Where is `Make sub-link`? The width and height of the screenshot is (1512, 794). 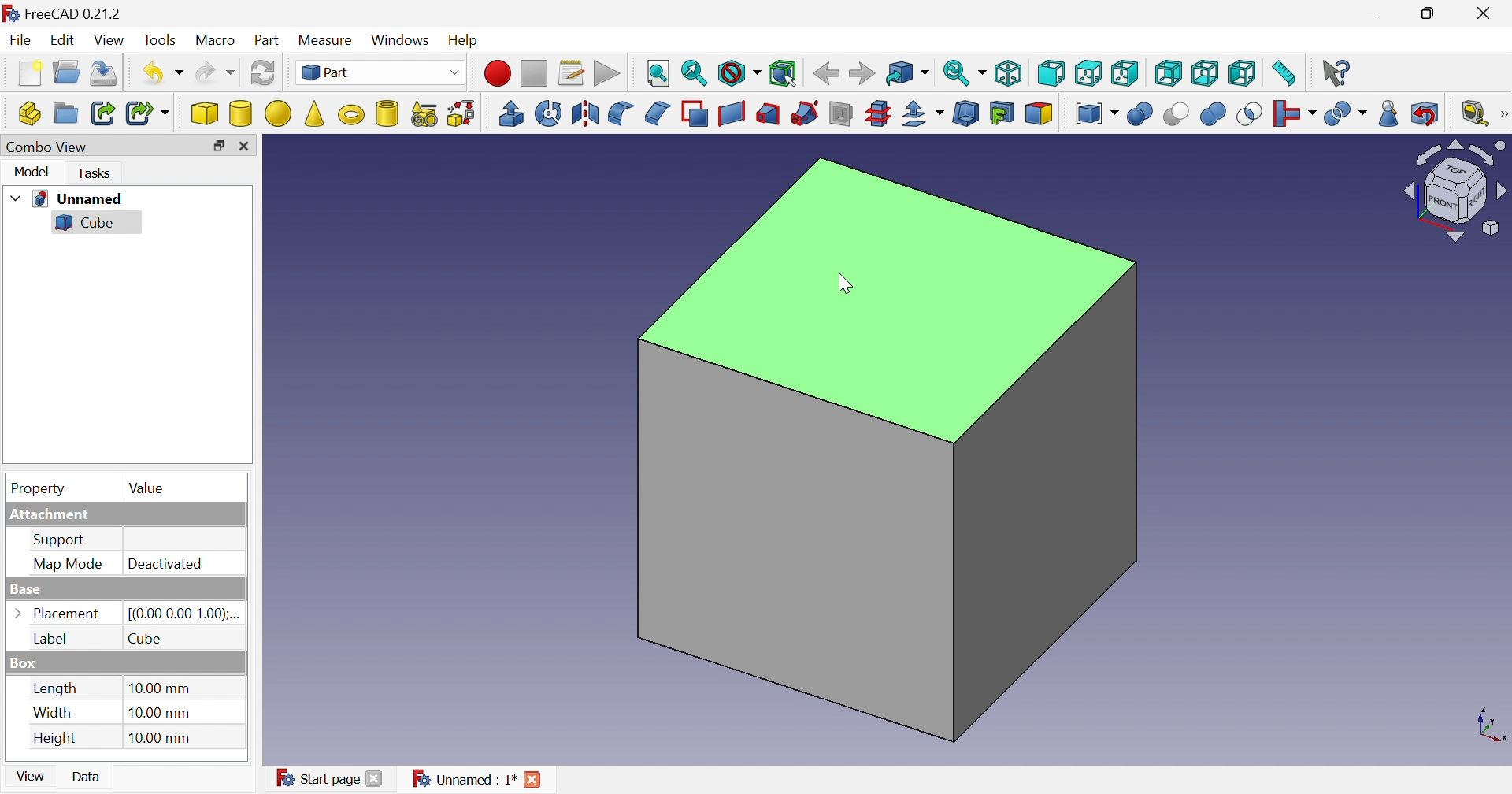 Make sub-link is located at coordinates (150, 113).